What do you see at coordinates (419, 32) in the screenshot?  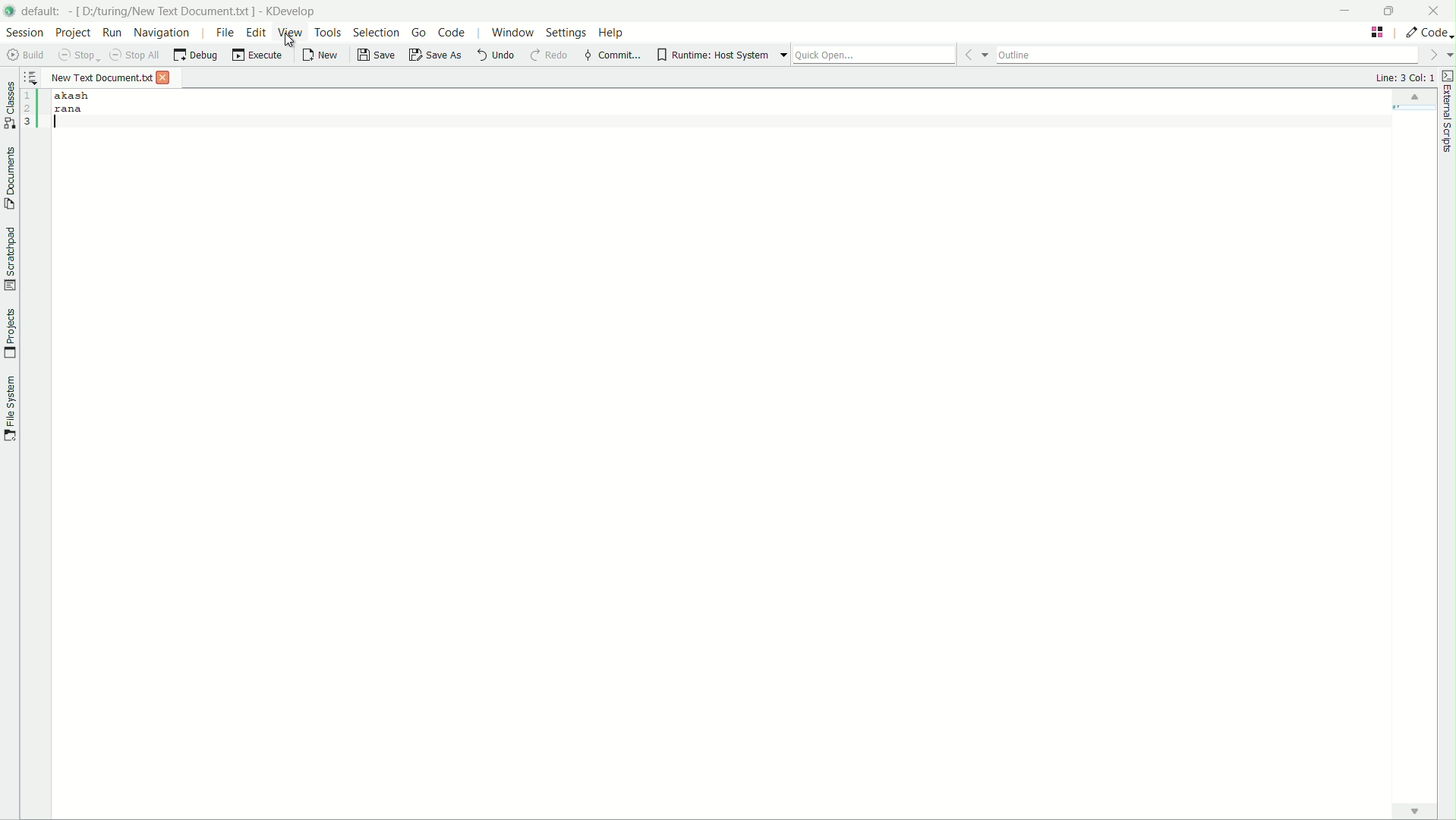 I see `go menu` at bounding box center [419, 32].